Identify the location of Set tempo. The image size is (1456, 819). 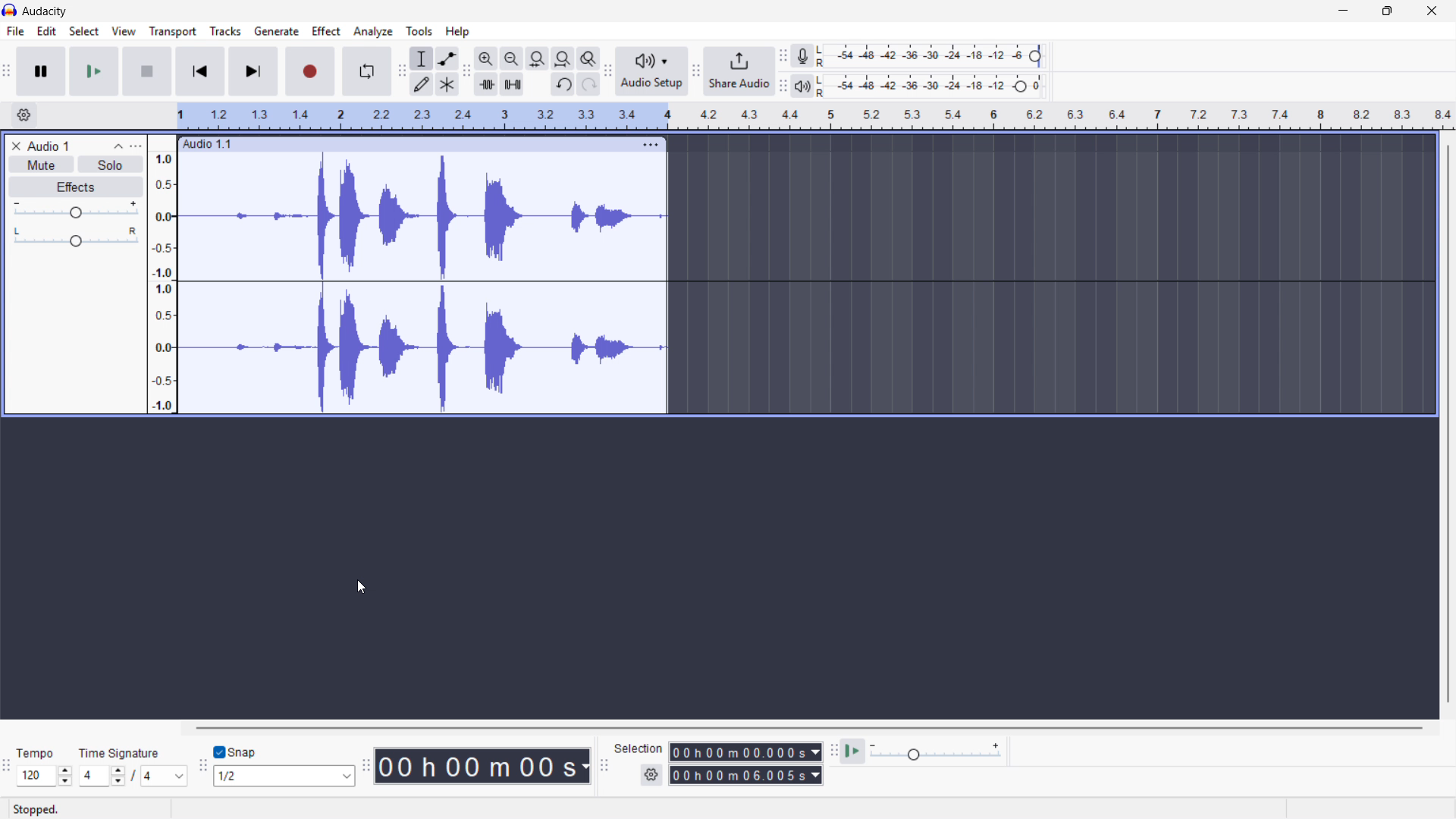
(43, 767).